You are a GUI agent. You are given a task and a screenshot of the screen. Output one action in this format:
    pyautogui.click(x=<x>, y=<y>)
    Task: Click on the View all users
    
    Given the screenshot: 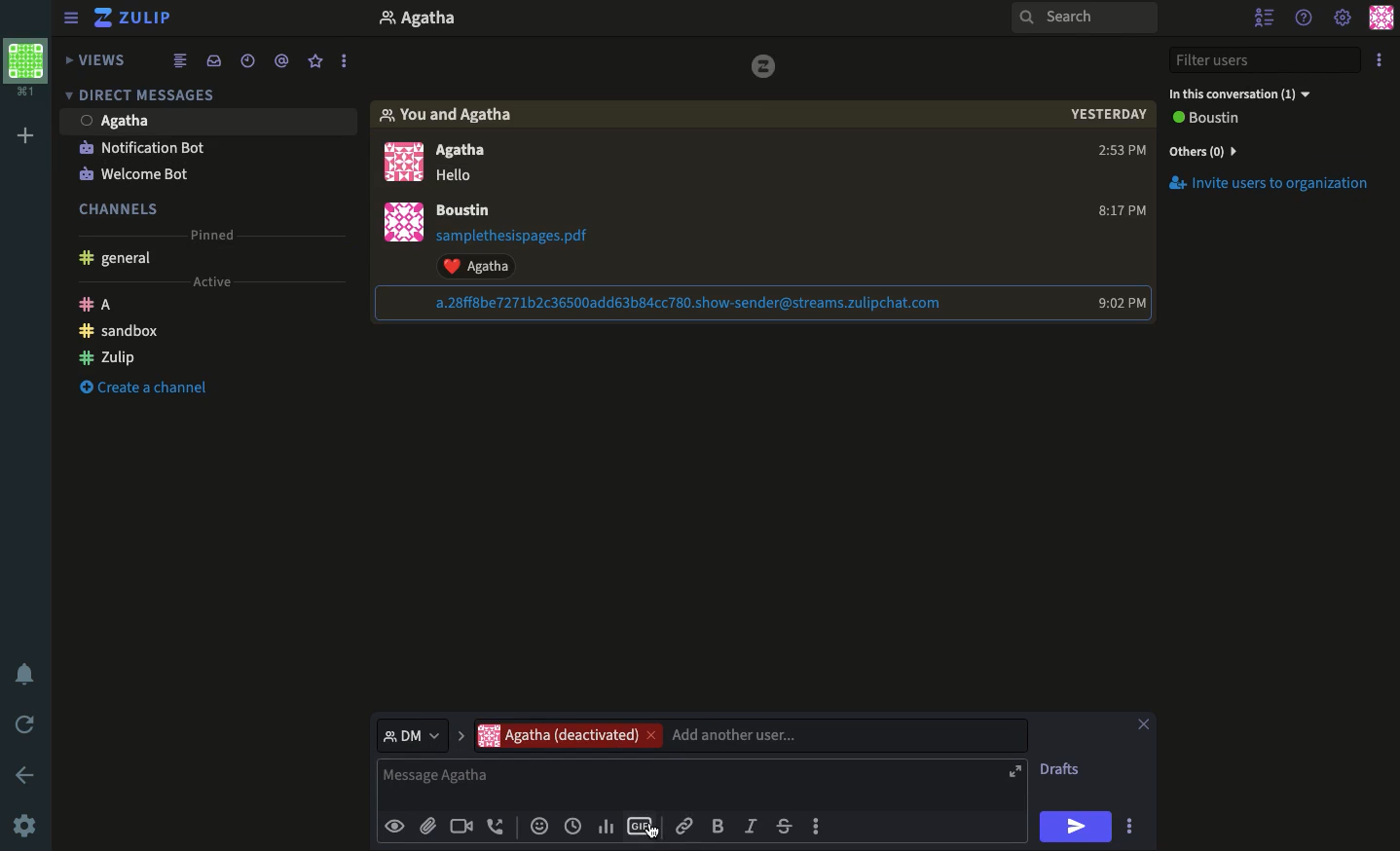 What is the action you would take?
    pyautogui.click(x=1221, y=120)
    